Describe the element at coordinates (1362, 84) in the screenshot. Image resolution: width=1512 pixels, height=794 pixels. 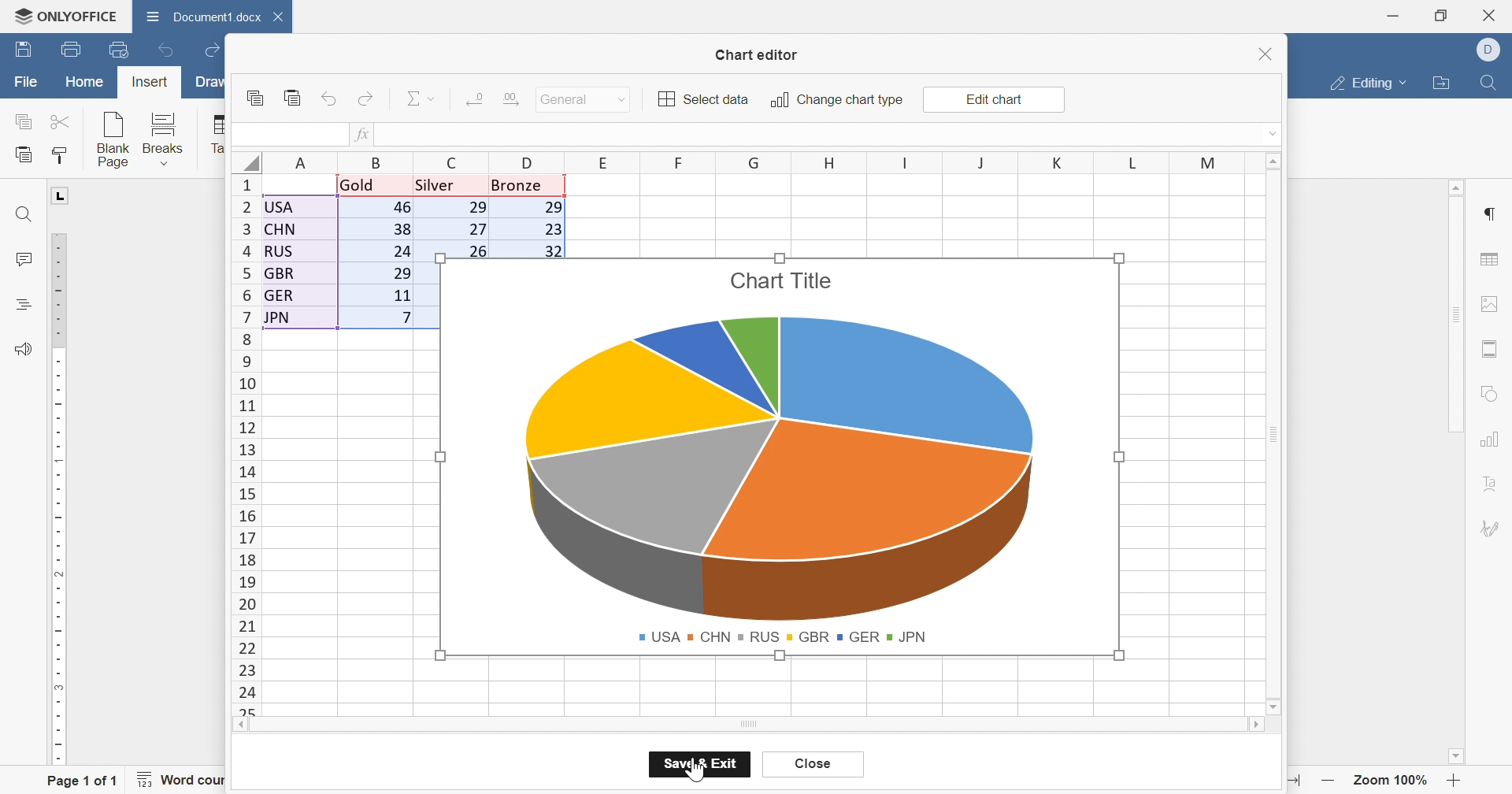
I see `Editing` at that location.